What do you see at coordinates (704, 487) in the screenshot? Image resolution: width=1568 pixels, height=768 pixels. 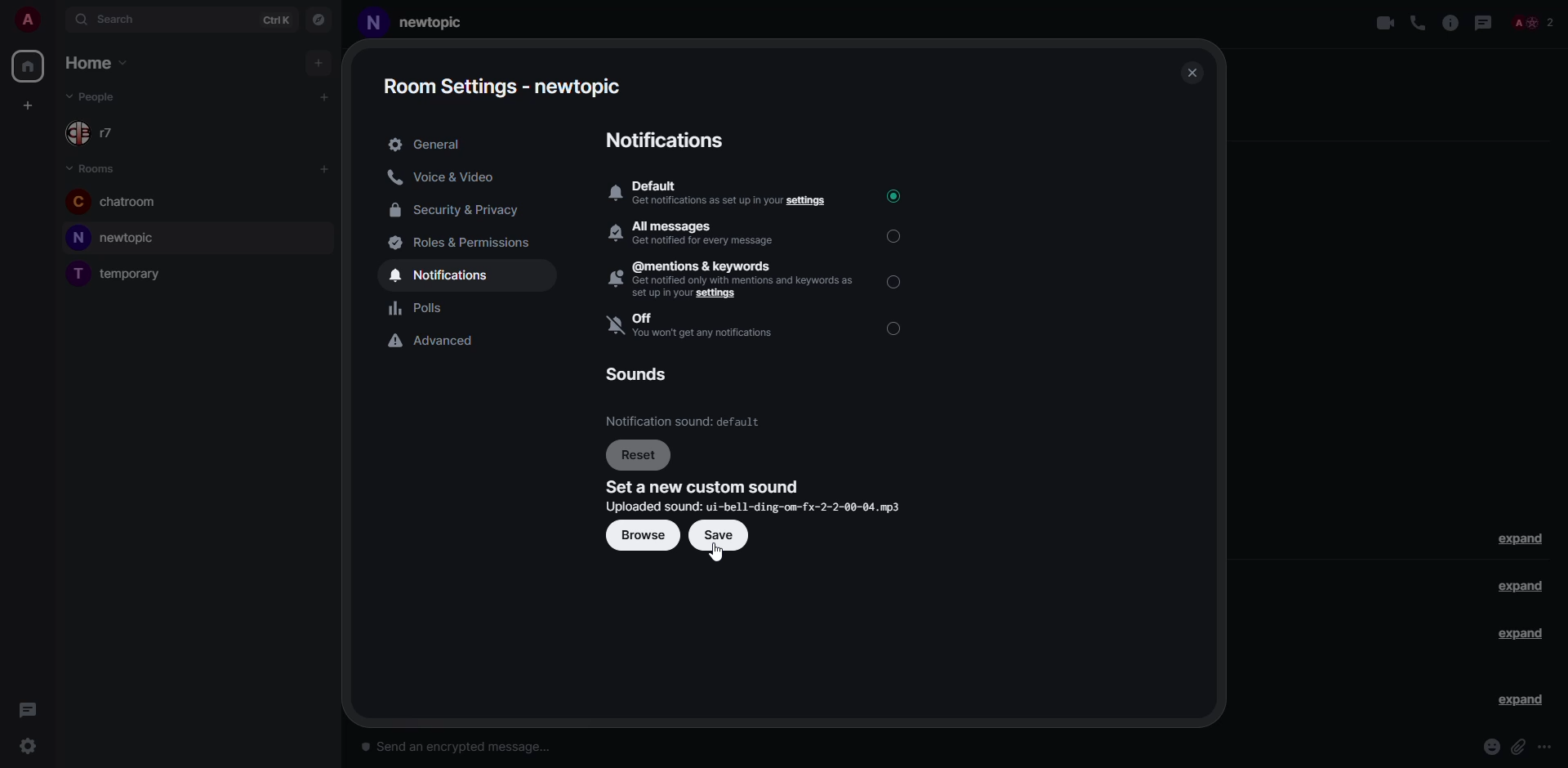 I see `set a new custom sound` at bounding box center [704, 487].